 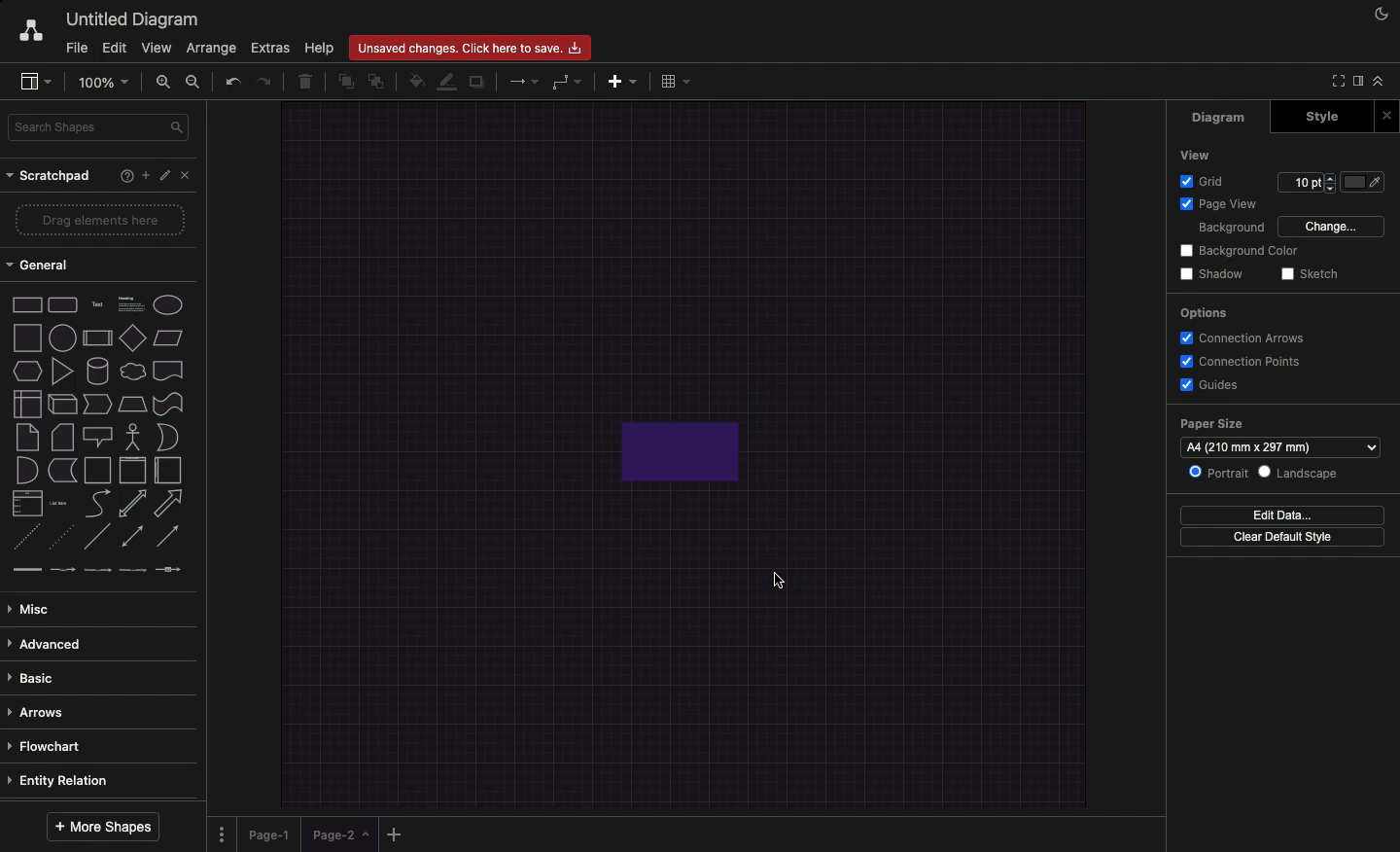 What do you see at coordinates (380, 81) in the screenshot?
I see `To back` at bounding box center [380, 81].